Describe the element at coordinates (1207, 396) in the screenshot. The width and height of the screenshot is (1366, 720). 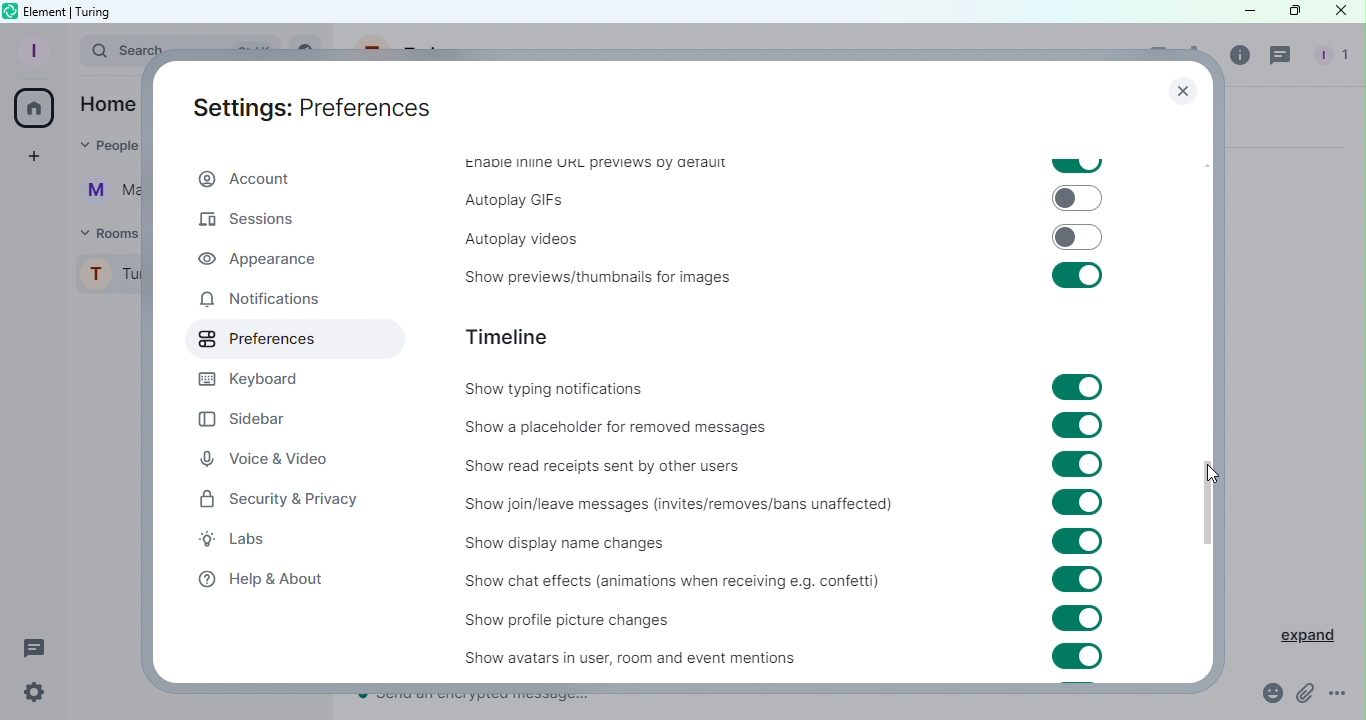
I see `Scroll bar` at that location.